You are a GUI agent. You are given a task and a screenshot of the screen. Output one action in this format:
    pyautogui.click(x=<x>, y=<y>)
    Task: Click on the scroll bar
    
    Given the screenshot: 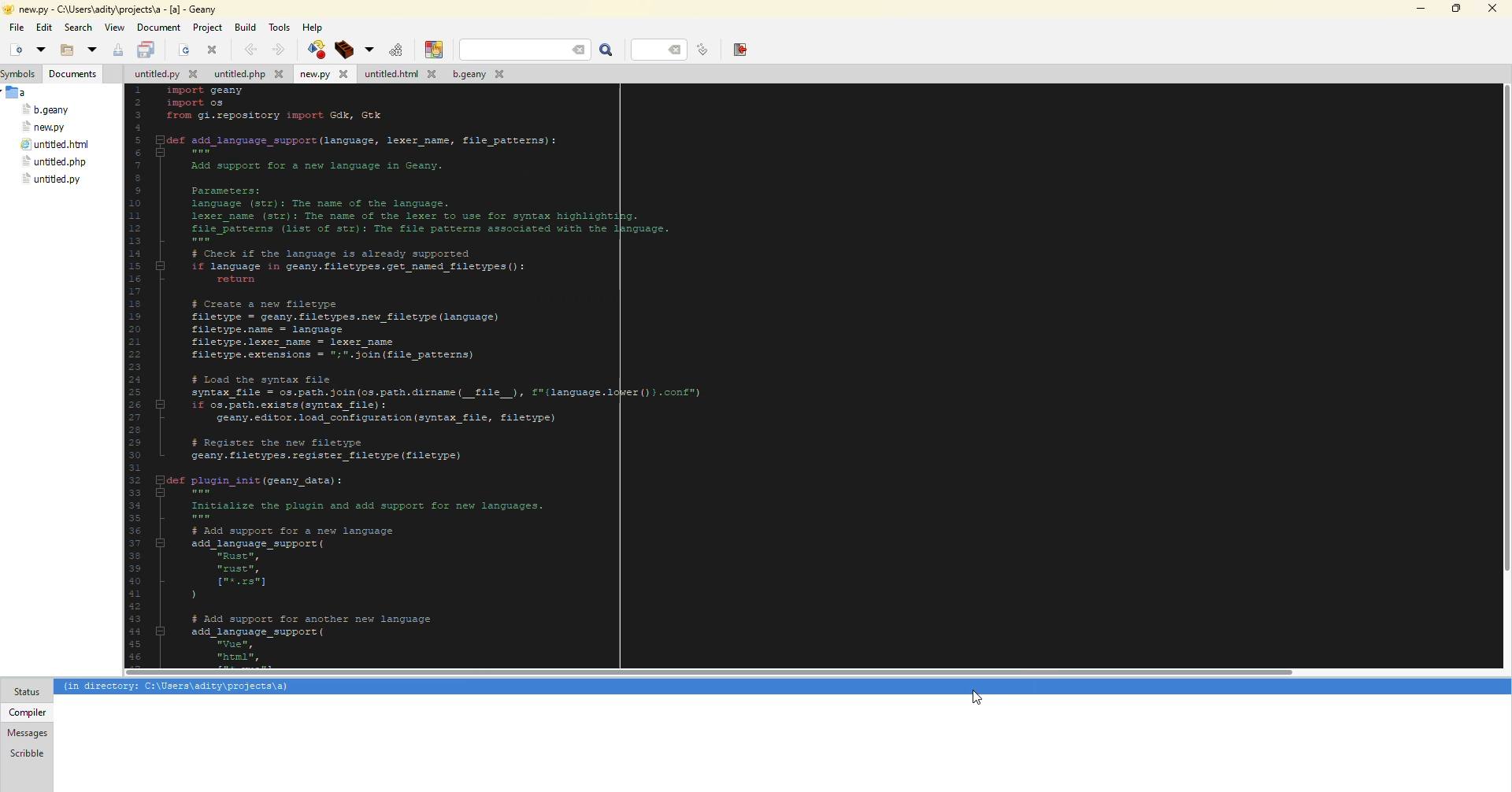 What is the action you would take?
    pyautogui.click(x=710, y=673)
    